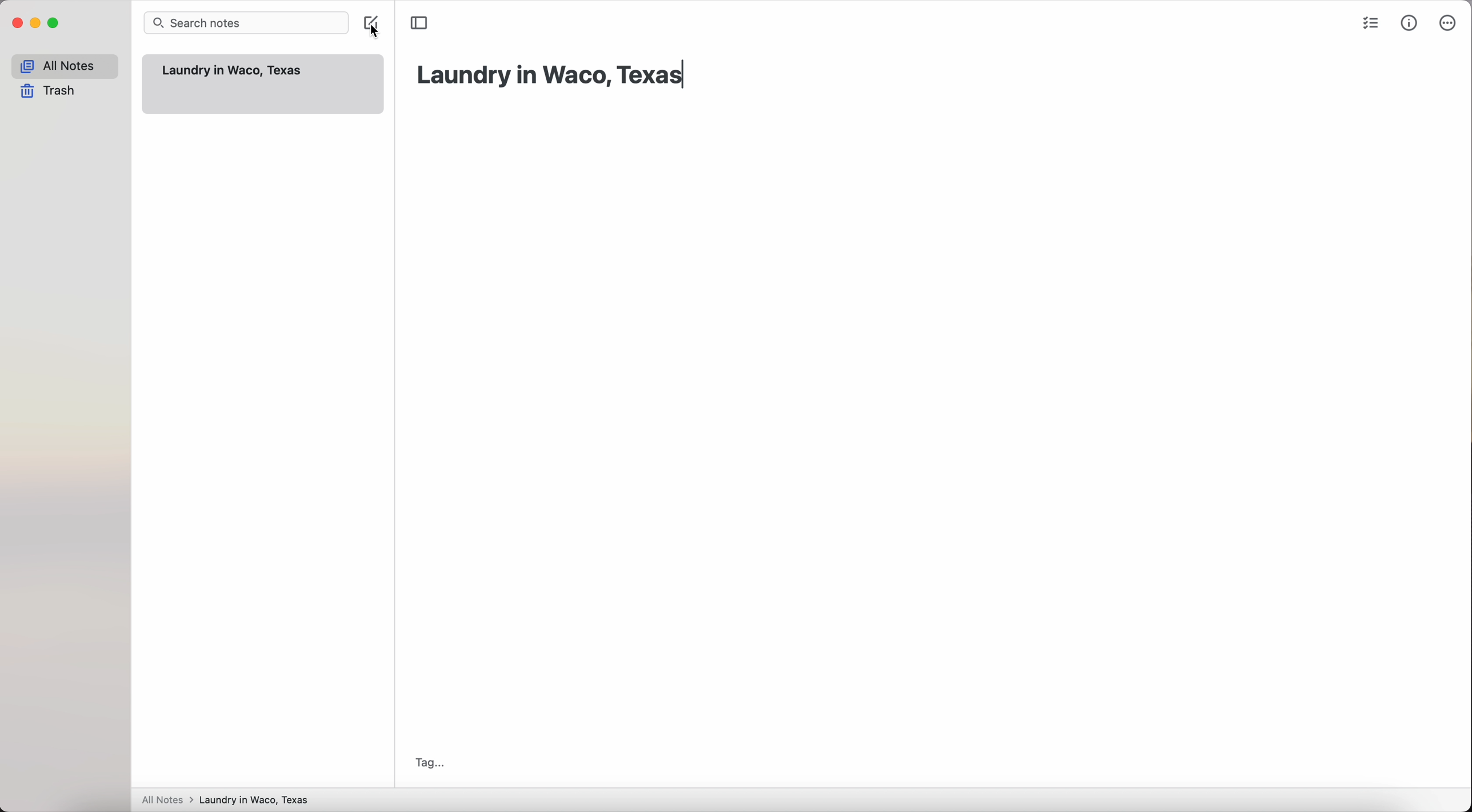  What do you see at coordinates (419, 23) in the screenshot?
I see `toggle sidebar` at bounding box center [419, 23].